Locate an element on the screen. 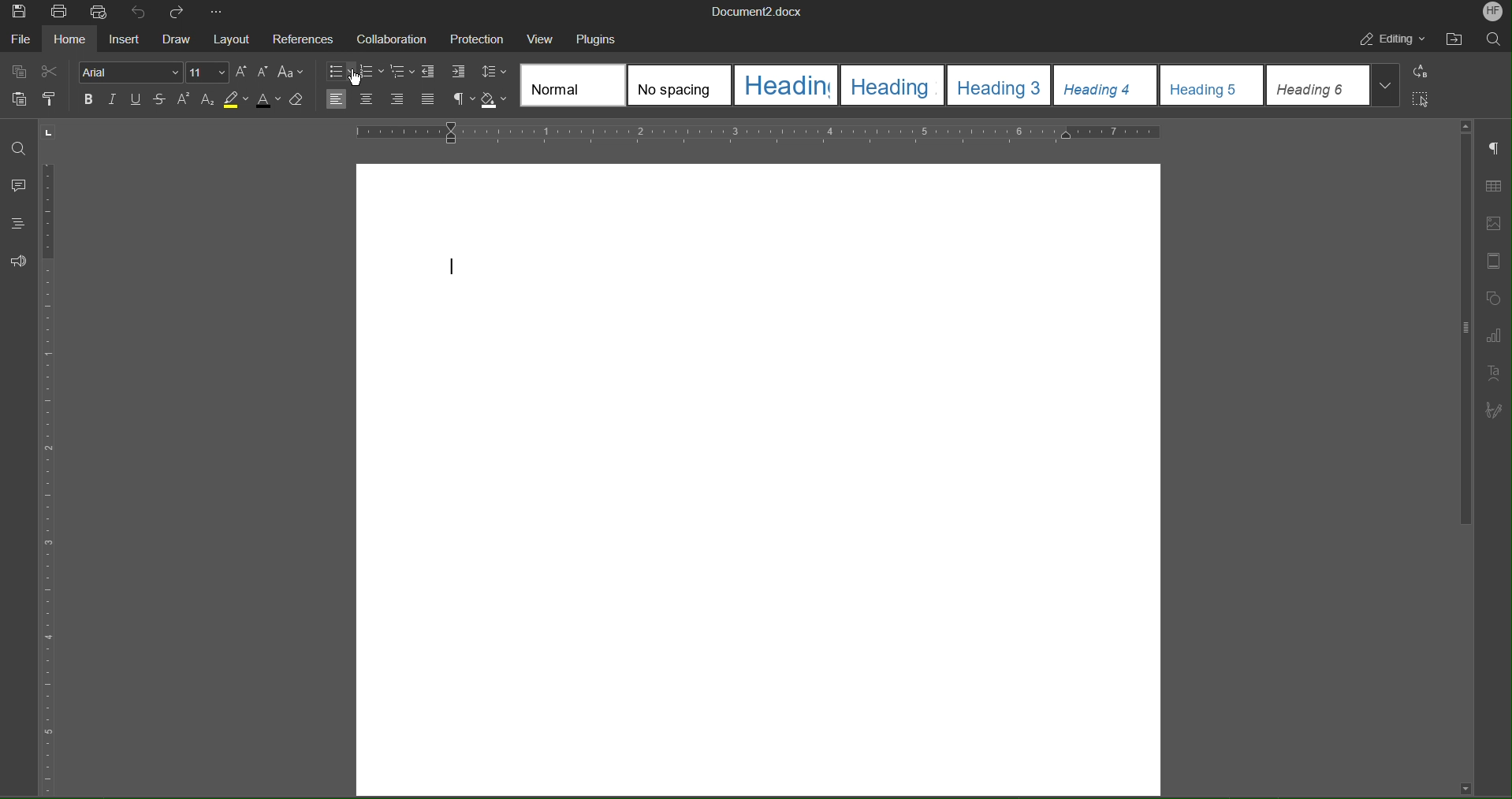 This screenshot has width=1512, height=799. Superscript is located at coordinates (187, 99).